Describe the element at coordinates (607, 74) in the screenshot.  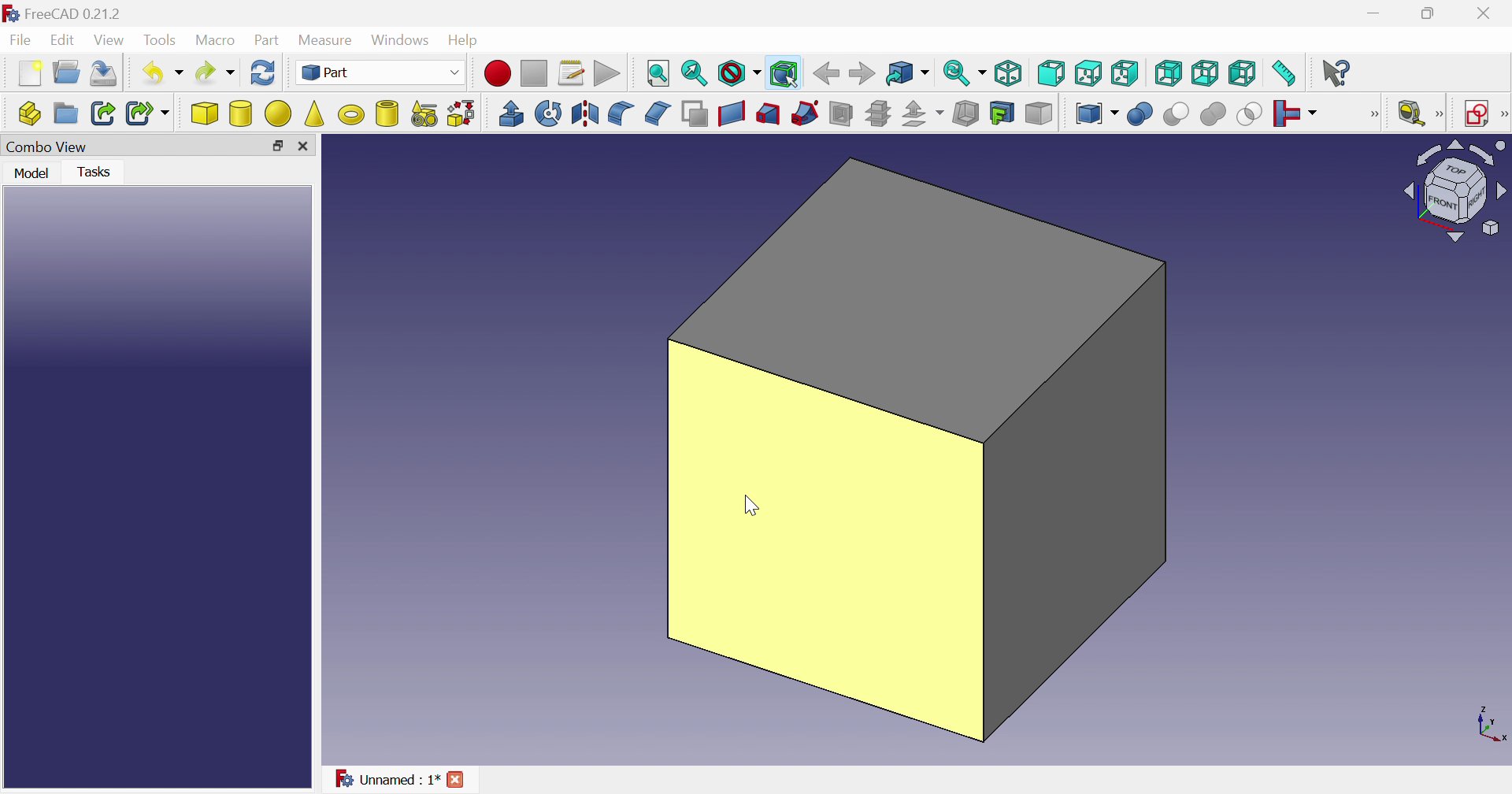
I see `Execute macro` at that location.